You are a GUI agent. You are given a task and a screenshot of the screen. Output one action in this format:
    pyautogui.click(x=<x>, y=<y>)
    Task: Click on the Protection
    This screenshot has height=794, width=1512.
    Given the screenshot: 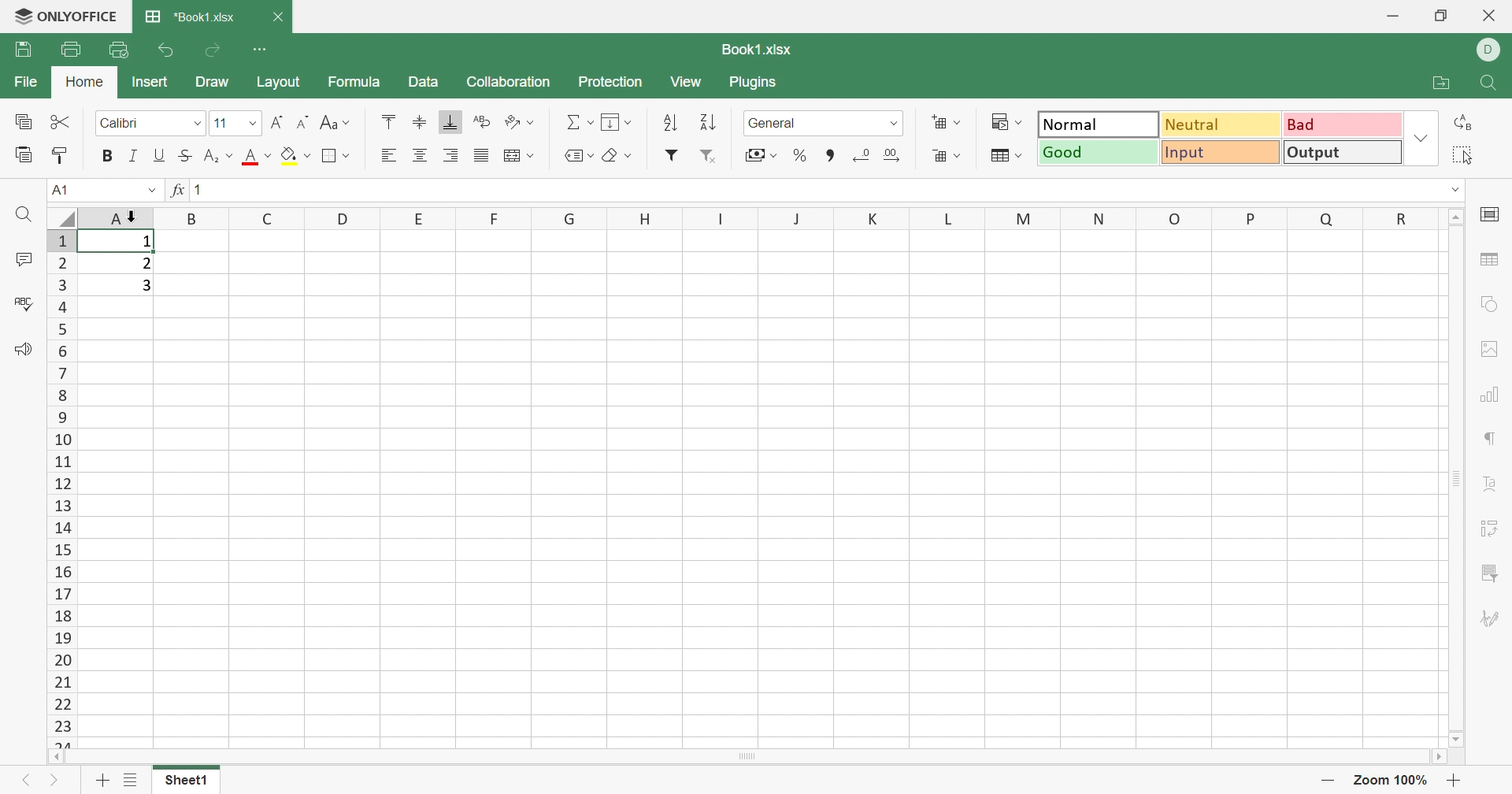 What is the action you would take?
    pyautogui.click(x=613, y=82)
    